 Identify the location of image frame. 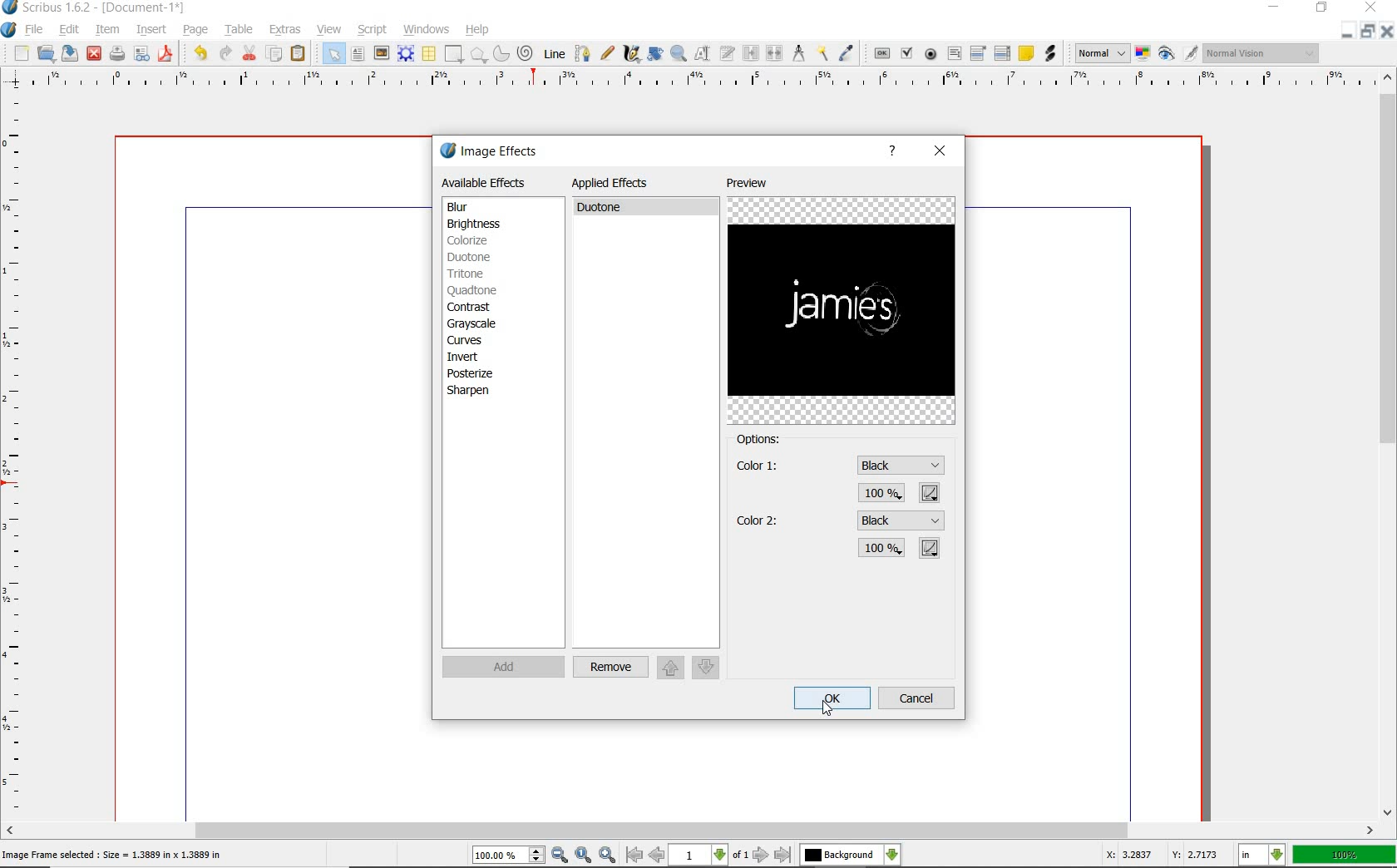
(381, 53).